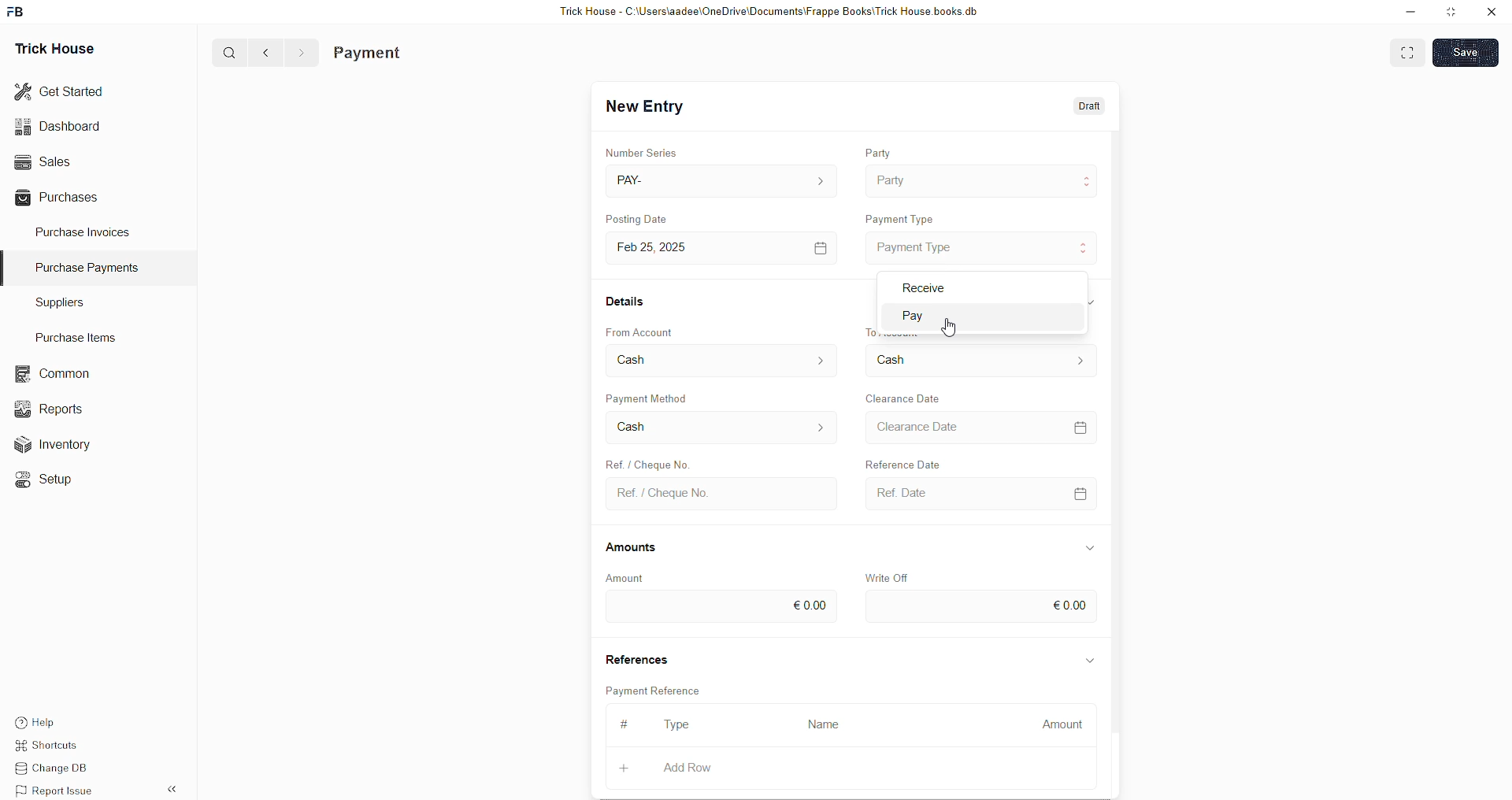 The image size is (1512, 800). What do you see at coordinates (1070, 603) in the screenshot?
I see `€0.00` at bounding box center [1070, 603].